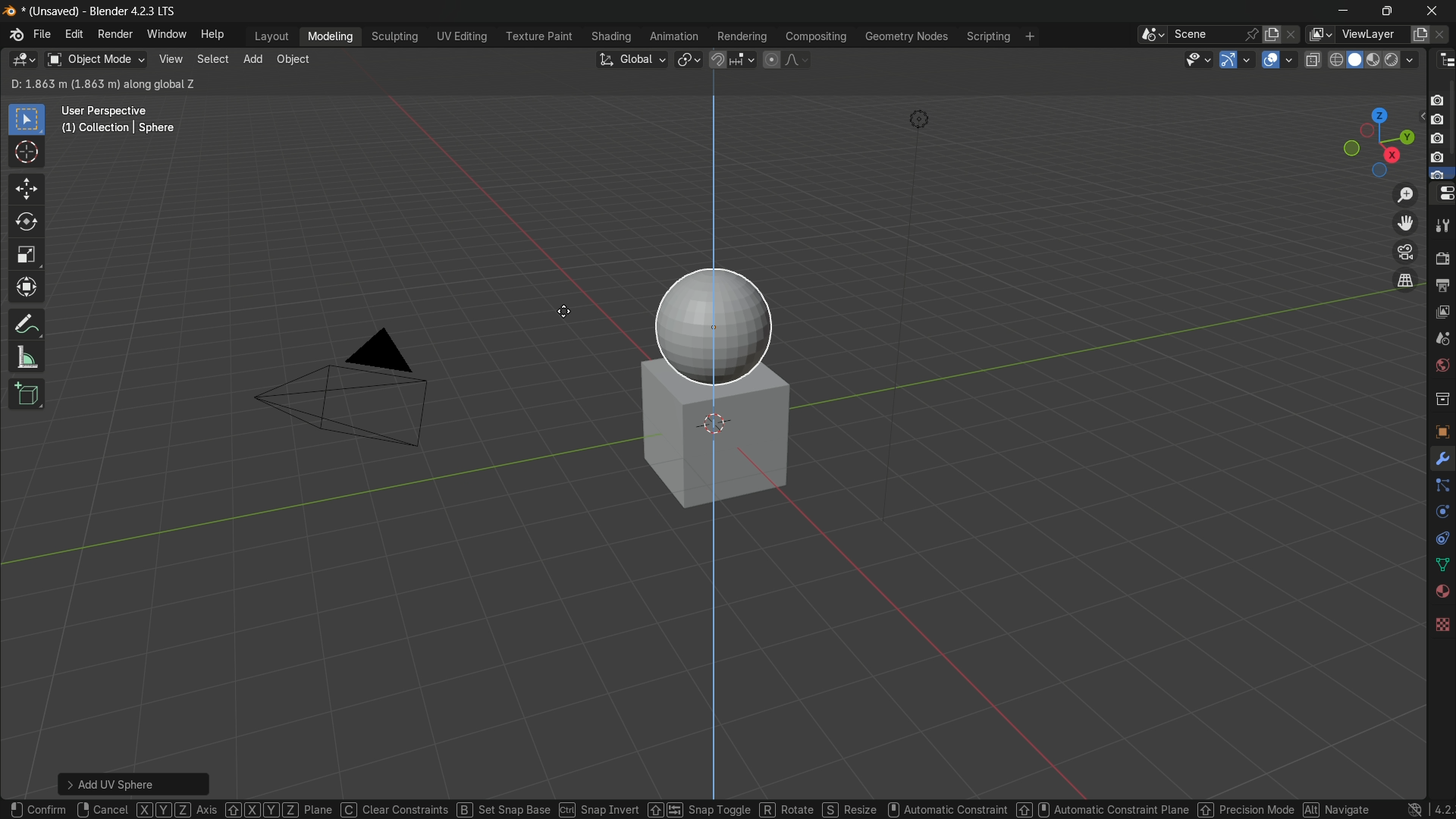 The height and width of the screenshot is (819, 1456). Describe the element at coordinates (1442, 194) in the screenshot. I see `properties` at that location.